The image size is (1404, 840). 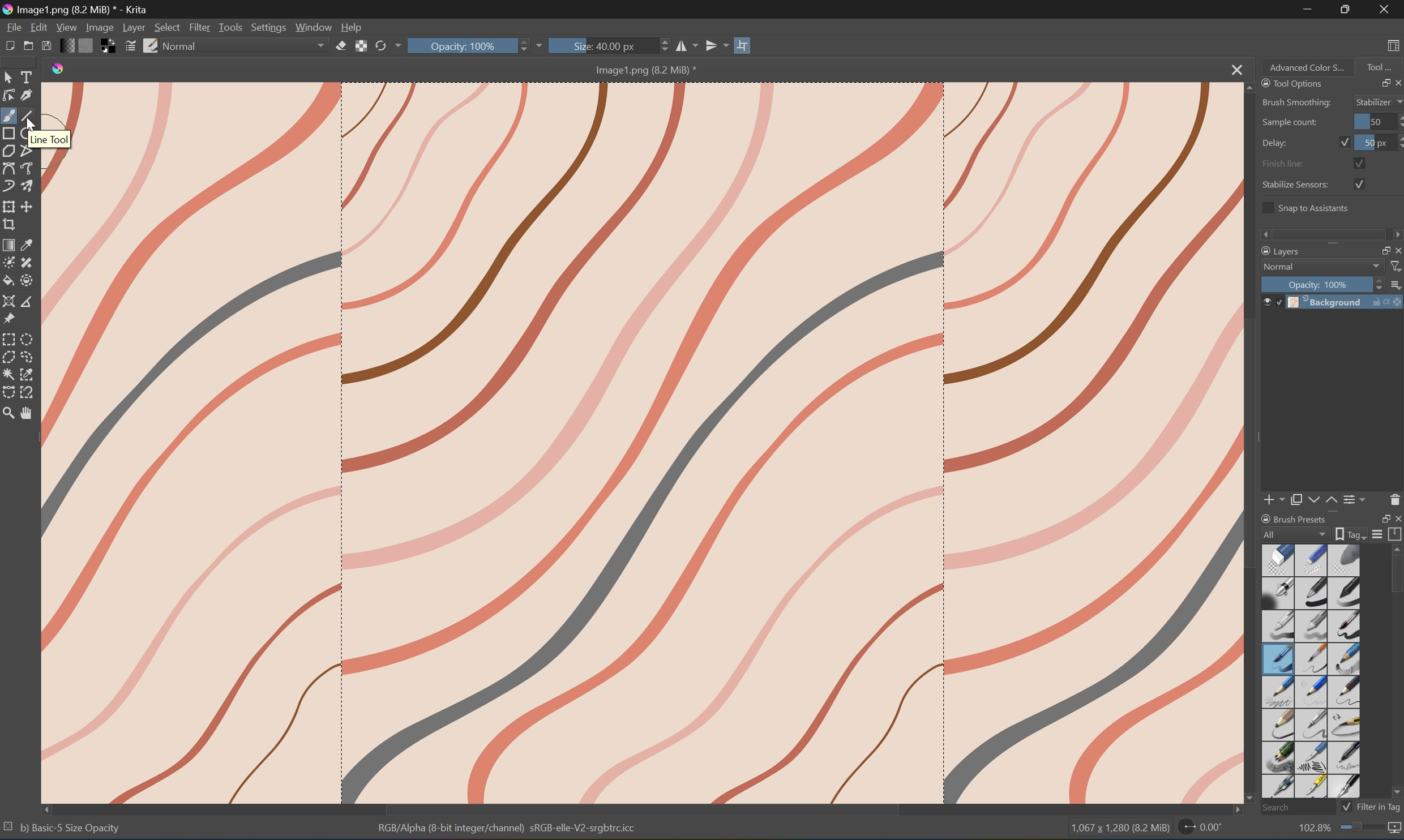 What do you see at coordinates (341, 48) in the screenshot?
I see `Set eraser mode` at bounding box center [341, 48].